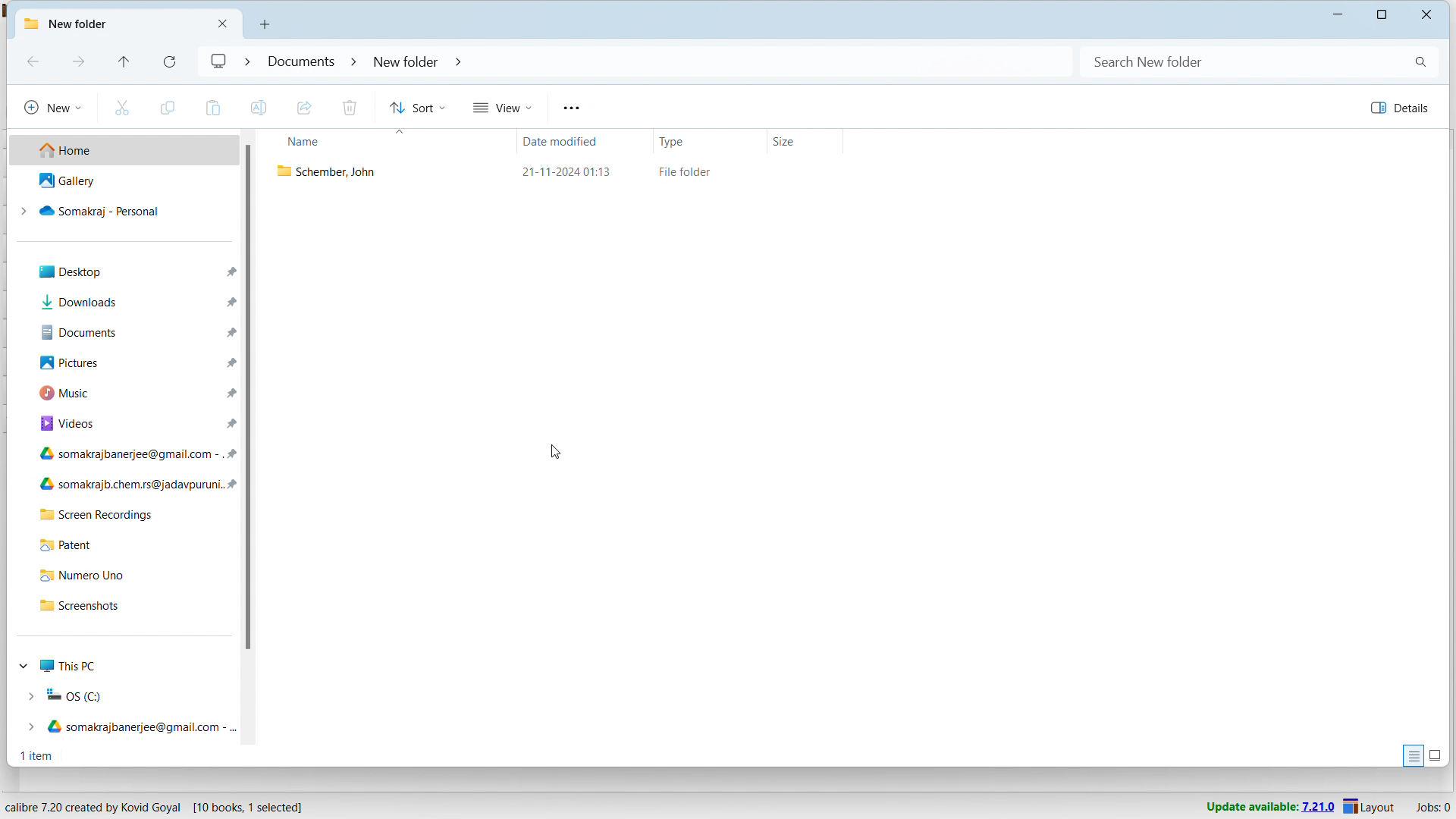  I want to click on menu, so click(575, 108).